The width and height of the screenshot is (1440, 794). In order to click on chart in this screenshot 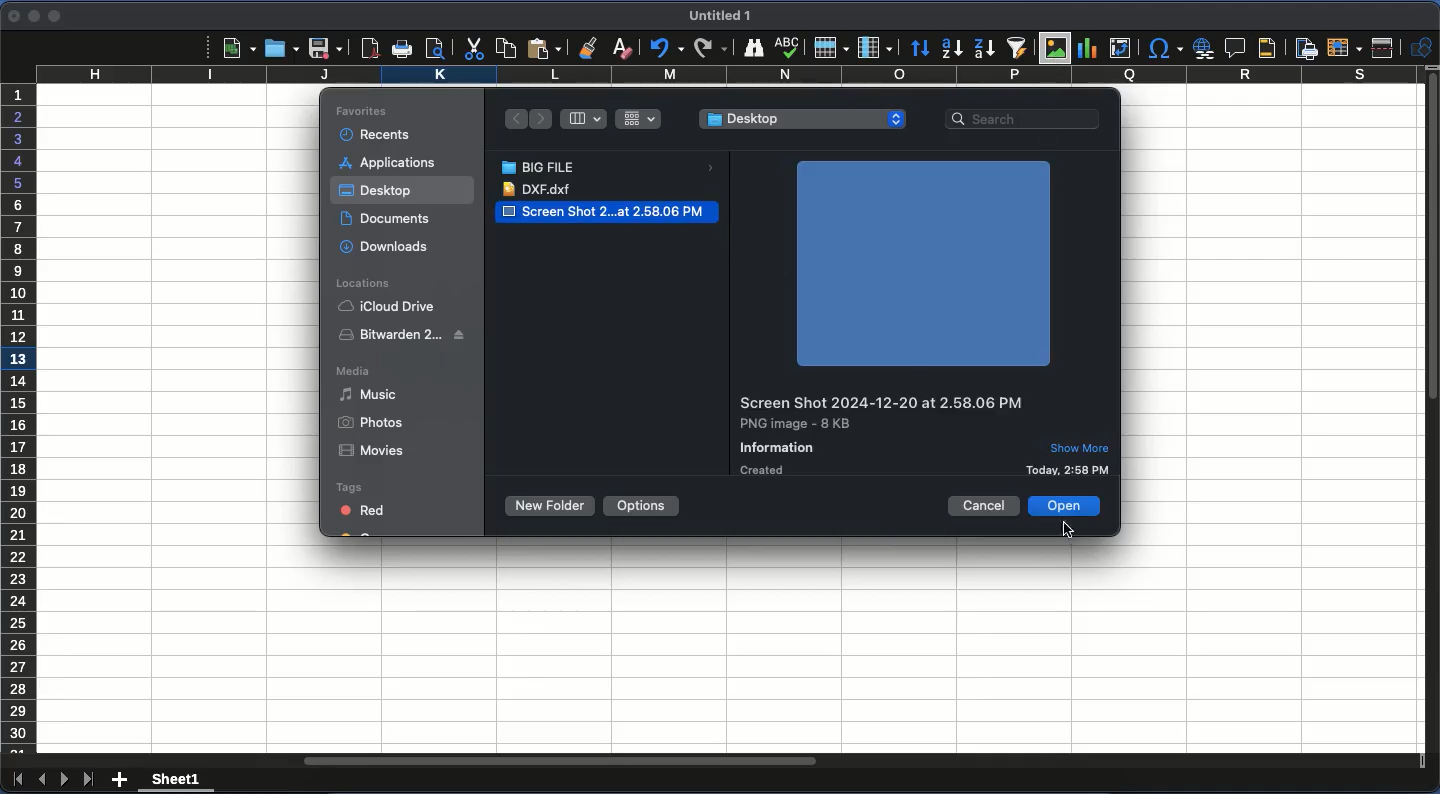, I will do `click(1088, 49)`.